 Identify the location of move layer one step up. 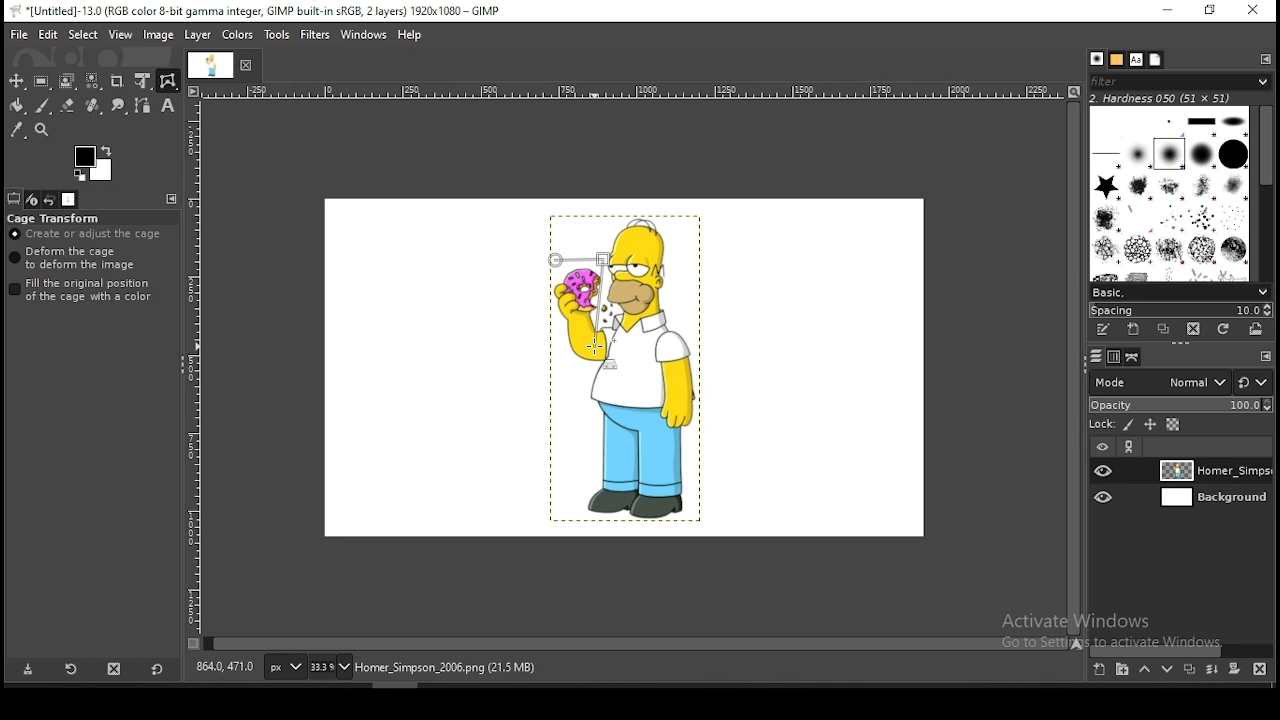
(1145, 672).